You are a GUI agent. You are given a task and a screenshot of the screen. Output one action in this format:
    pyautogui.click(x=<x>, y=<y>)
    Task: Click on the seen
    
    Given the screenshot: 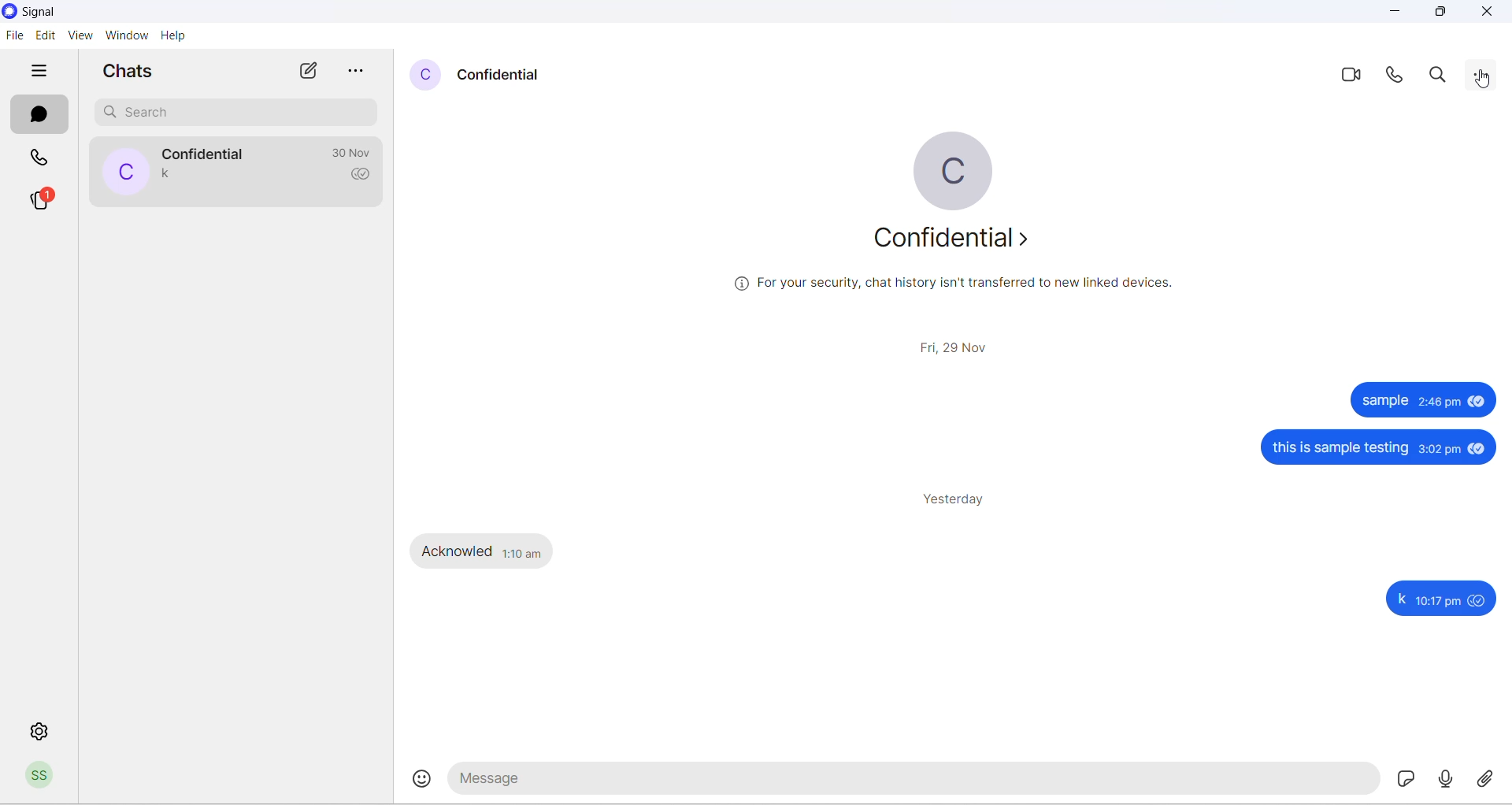 What is the action you would take?
    pyautogui.click(x=1478, y=599)
    